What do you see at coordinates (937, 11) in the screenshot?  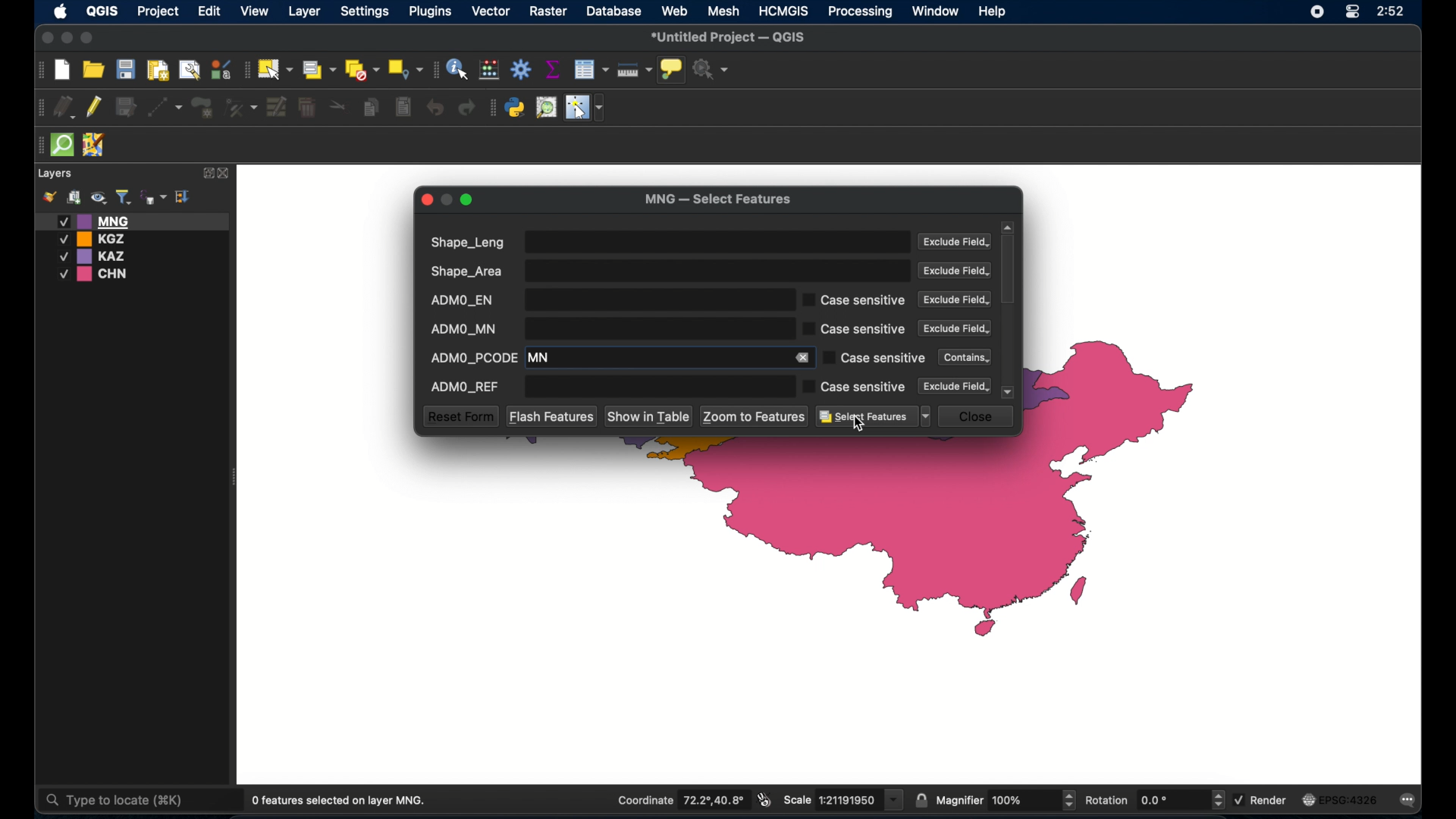 I see `window` at bounding box center [937, 11].